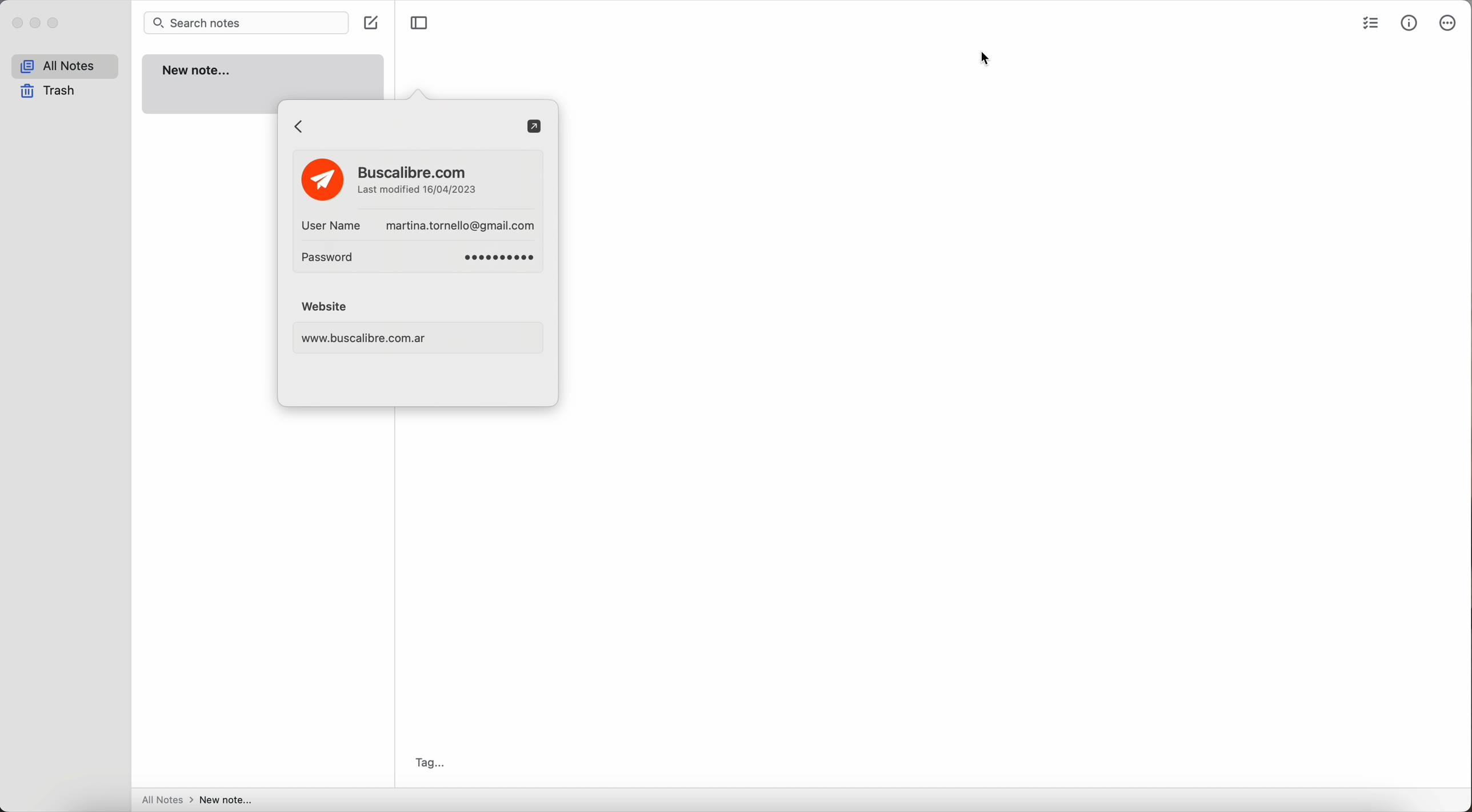 This screenshot has height=812, width=1472. I want to click on create note, so click(374, 23).